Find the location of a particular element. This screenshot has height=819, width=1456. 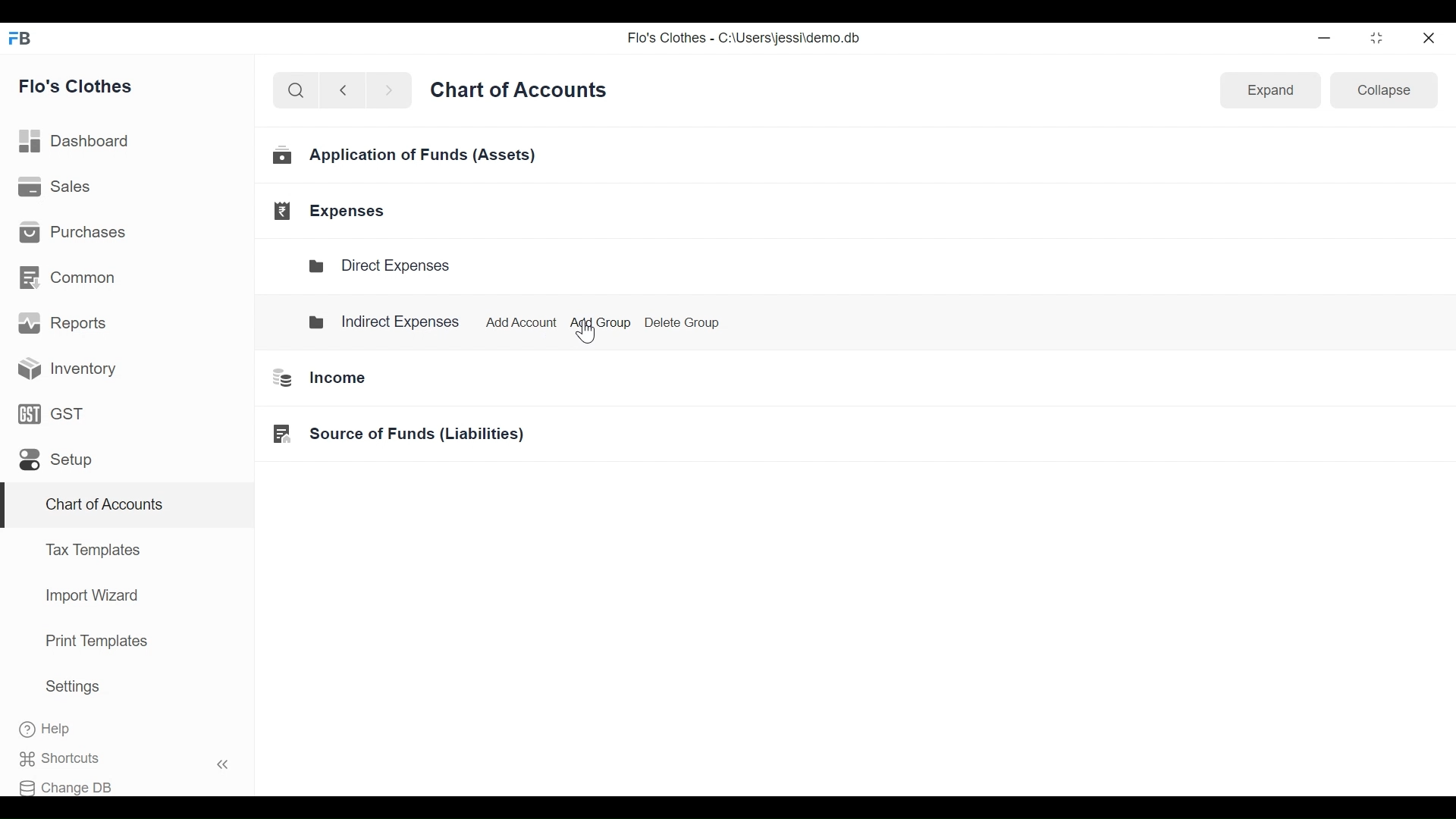

close is located at coordinates (1430, 36).